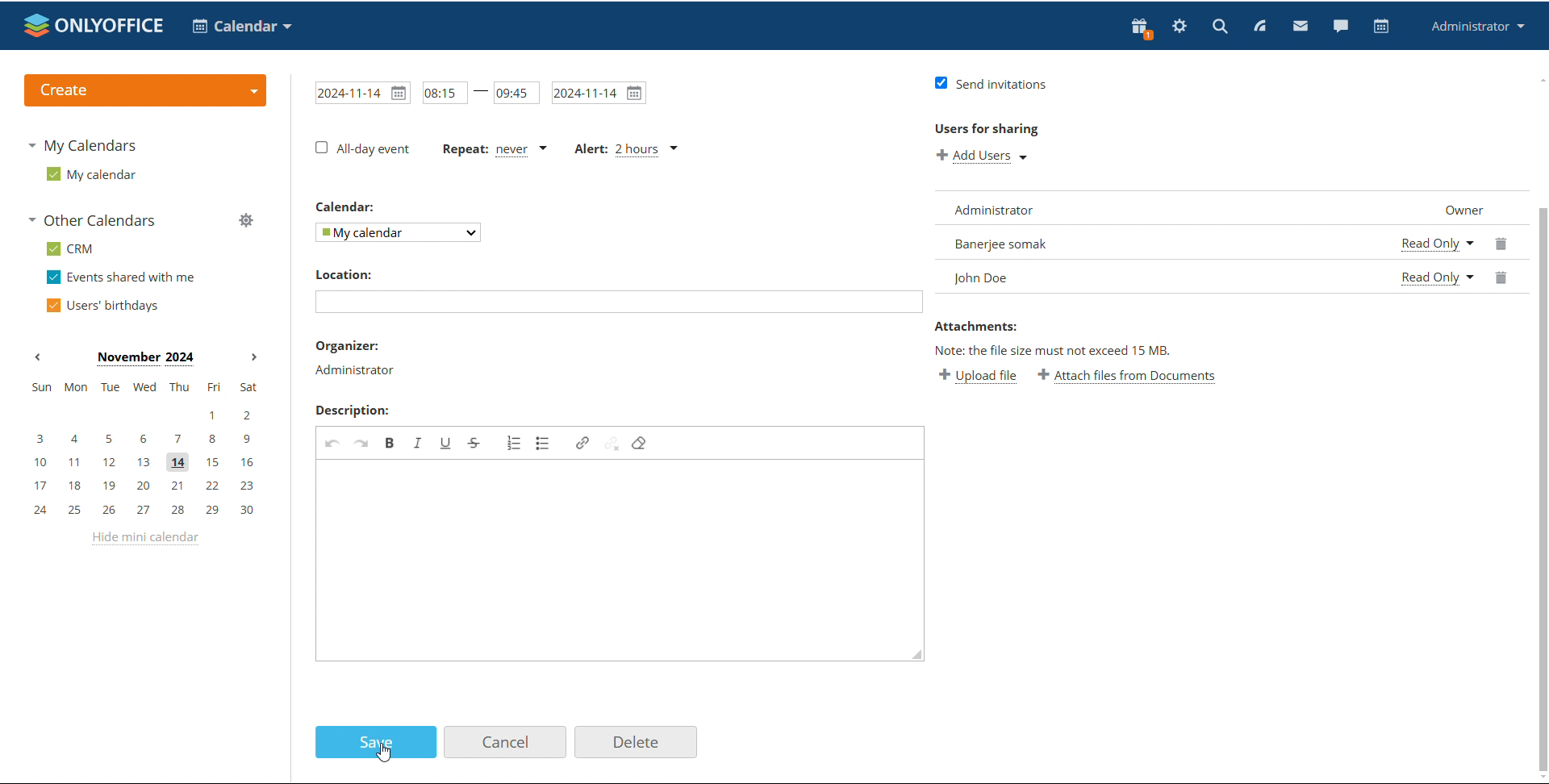  I want to click on Description, so click(352, 410).